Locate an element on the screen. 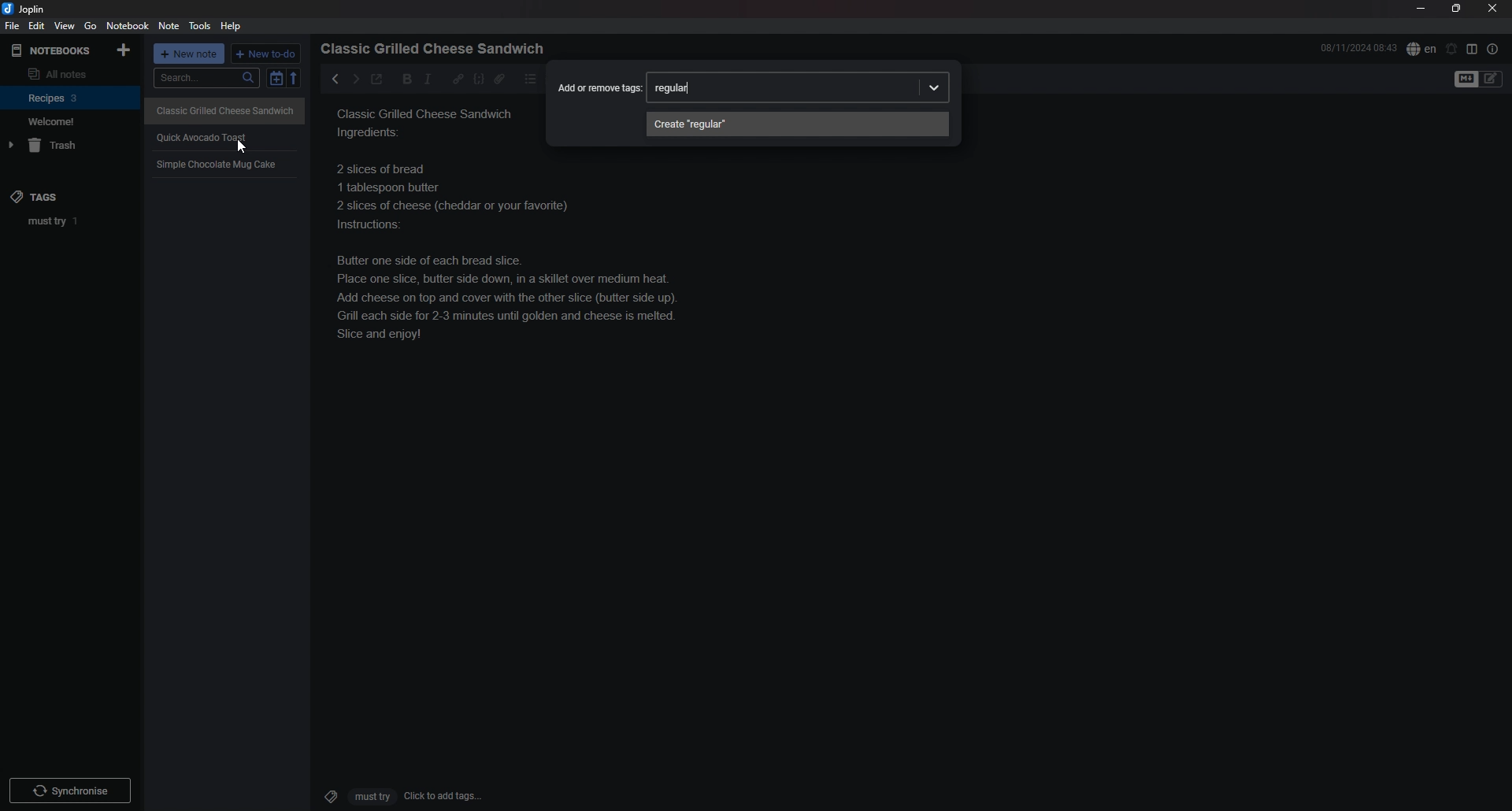 The image size is (1512, 811). note is located at coordinates (169, 27).